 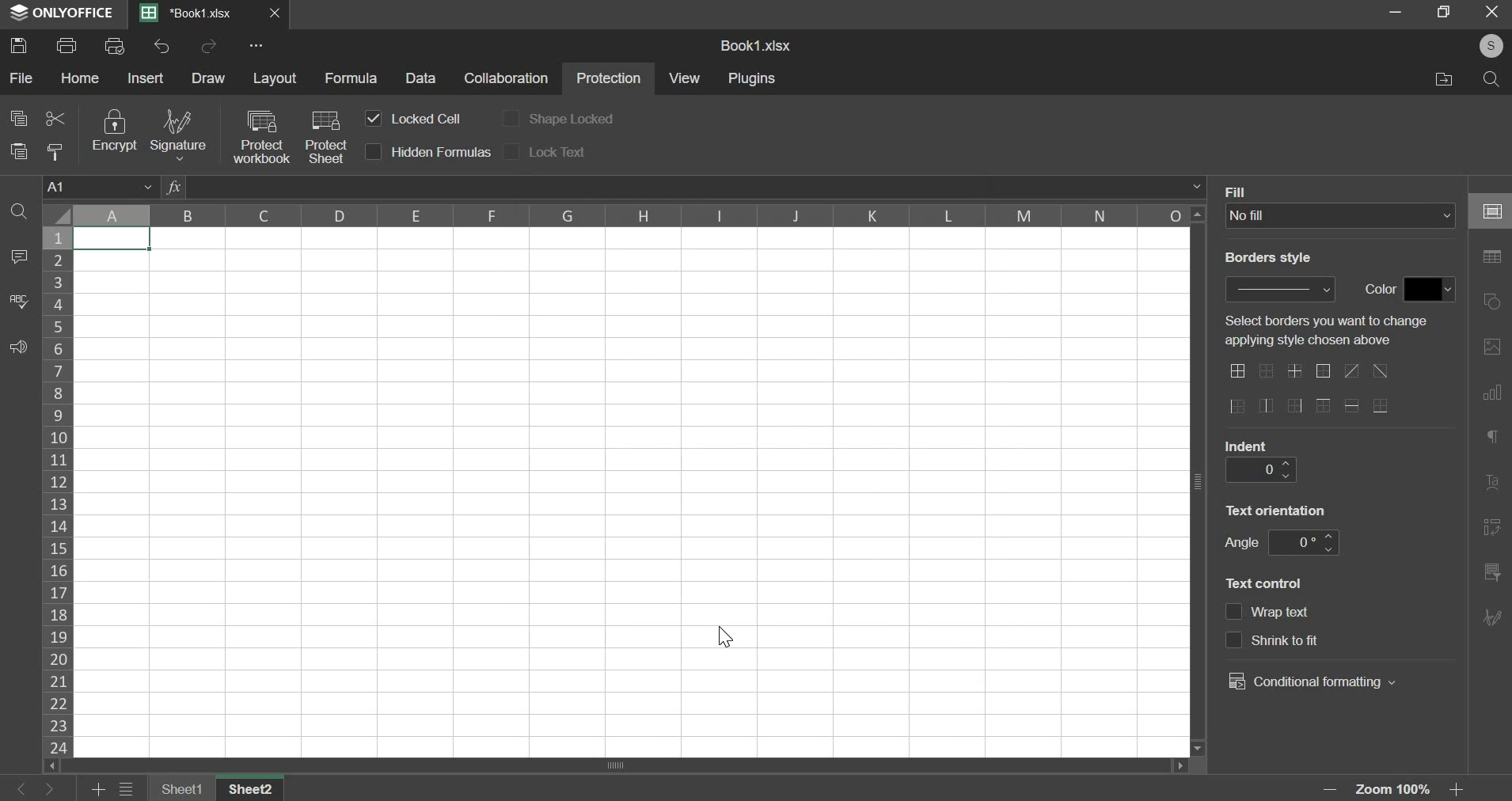 I want to click on right side bar, so click(x=1494, y=257).